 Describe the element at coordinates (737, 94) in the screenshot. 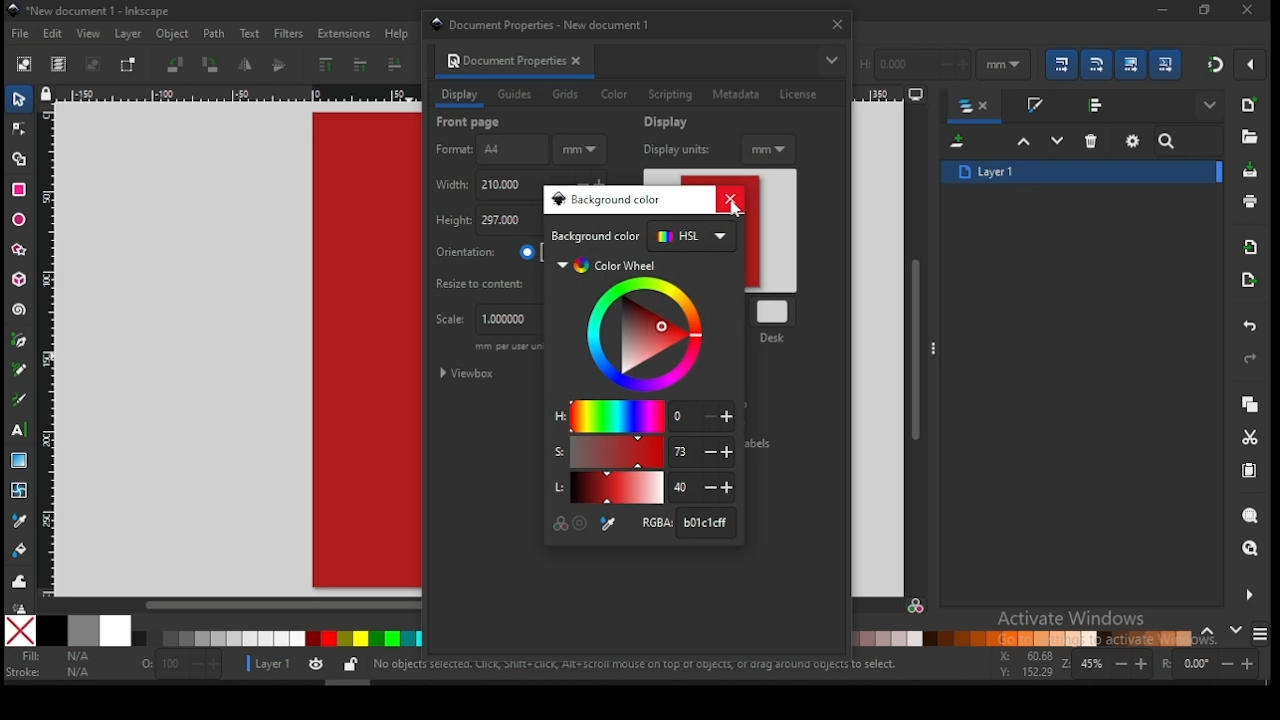

I see `metadata` at that location.